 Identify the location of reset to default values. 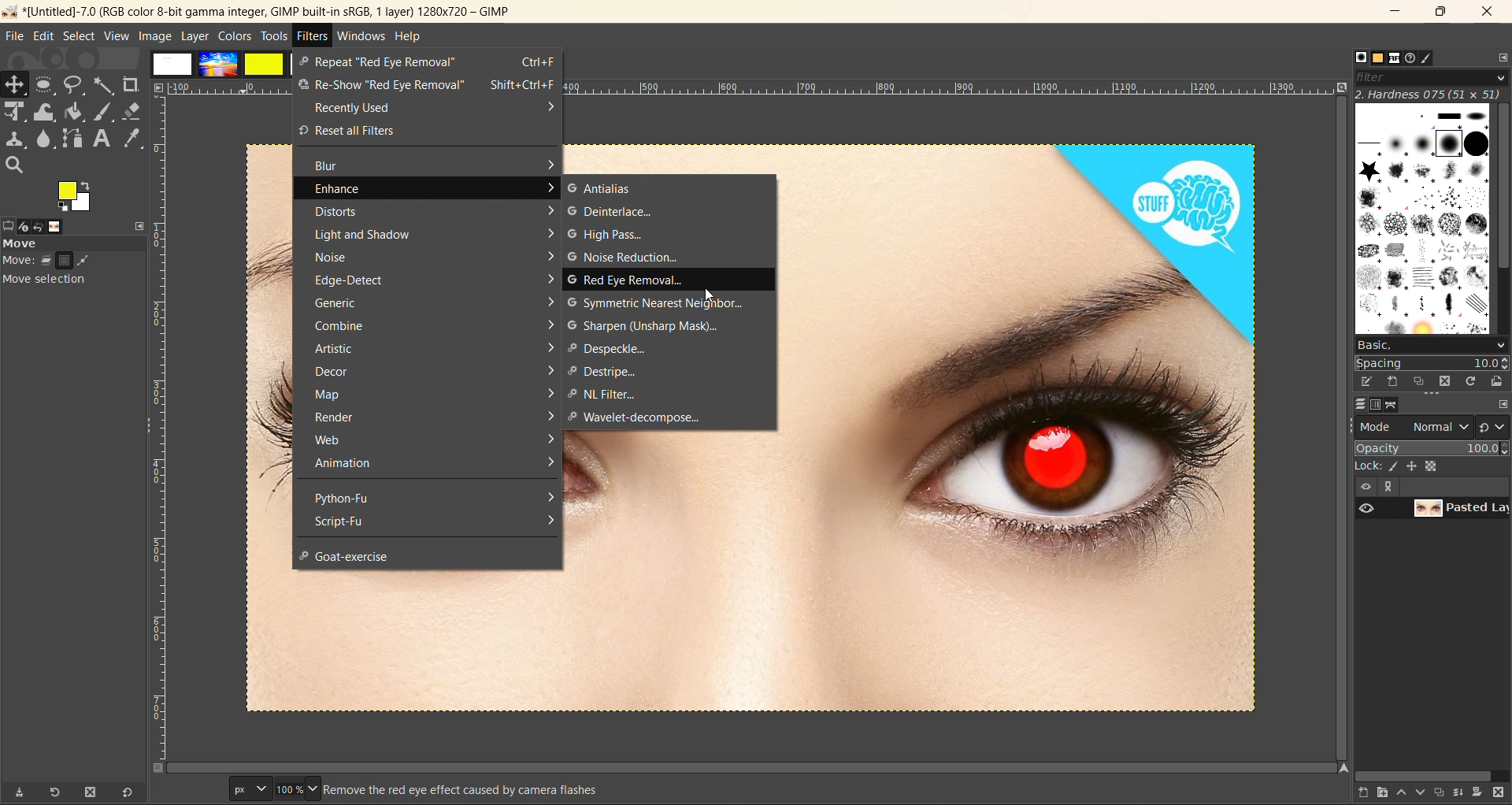
(131, 793).